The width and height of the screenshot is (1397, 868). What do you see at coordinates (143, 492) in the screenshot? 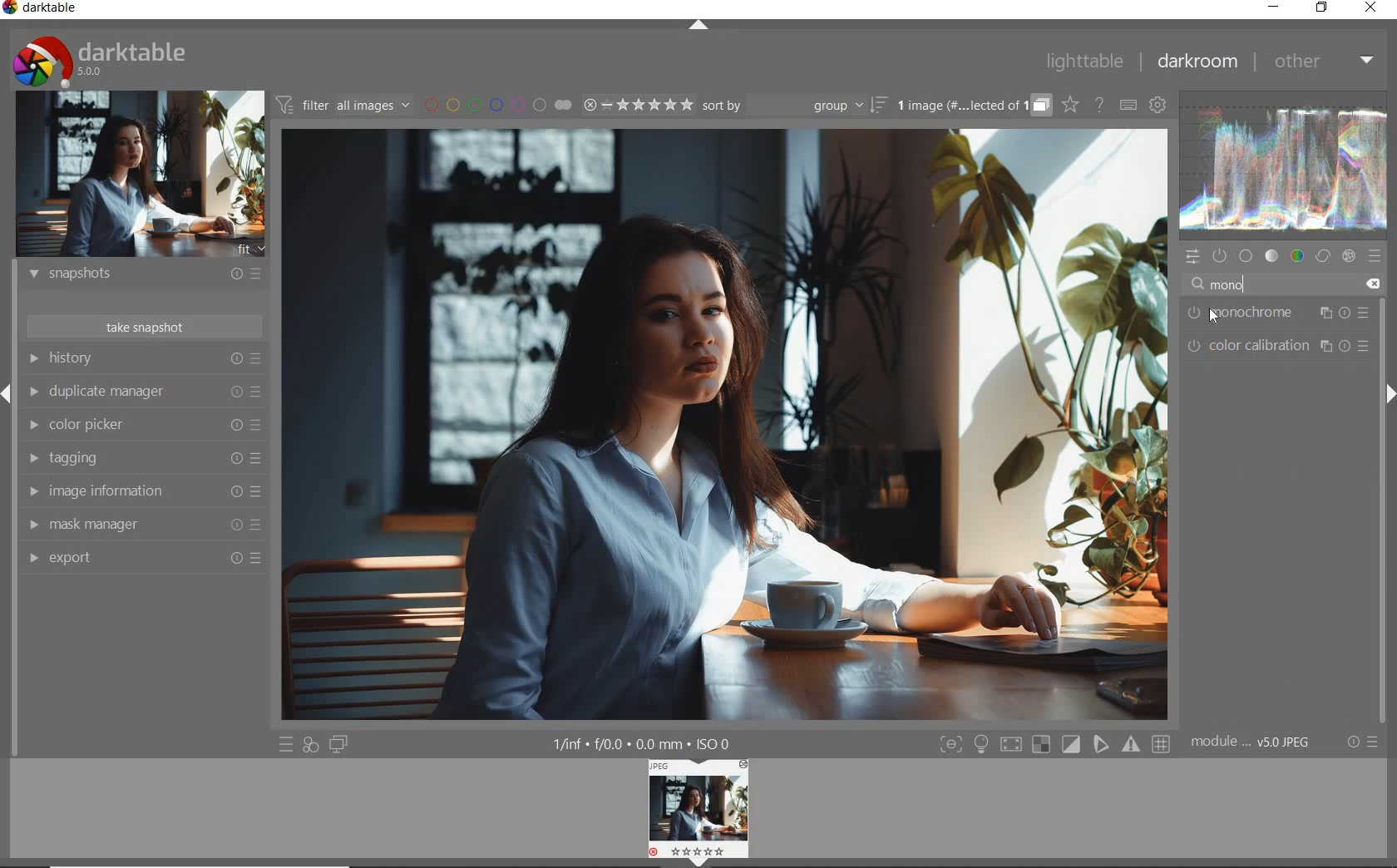
I see `image information` at bounding box center [143, 492].